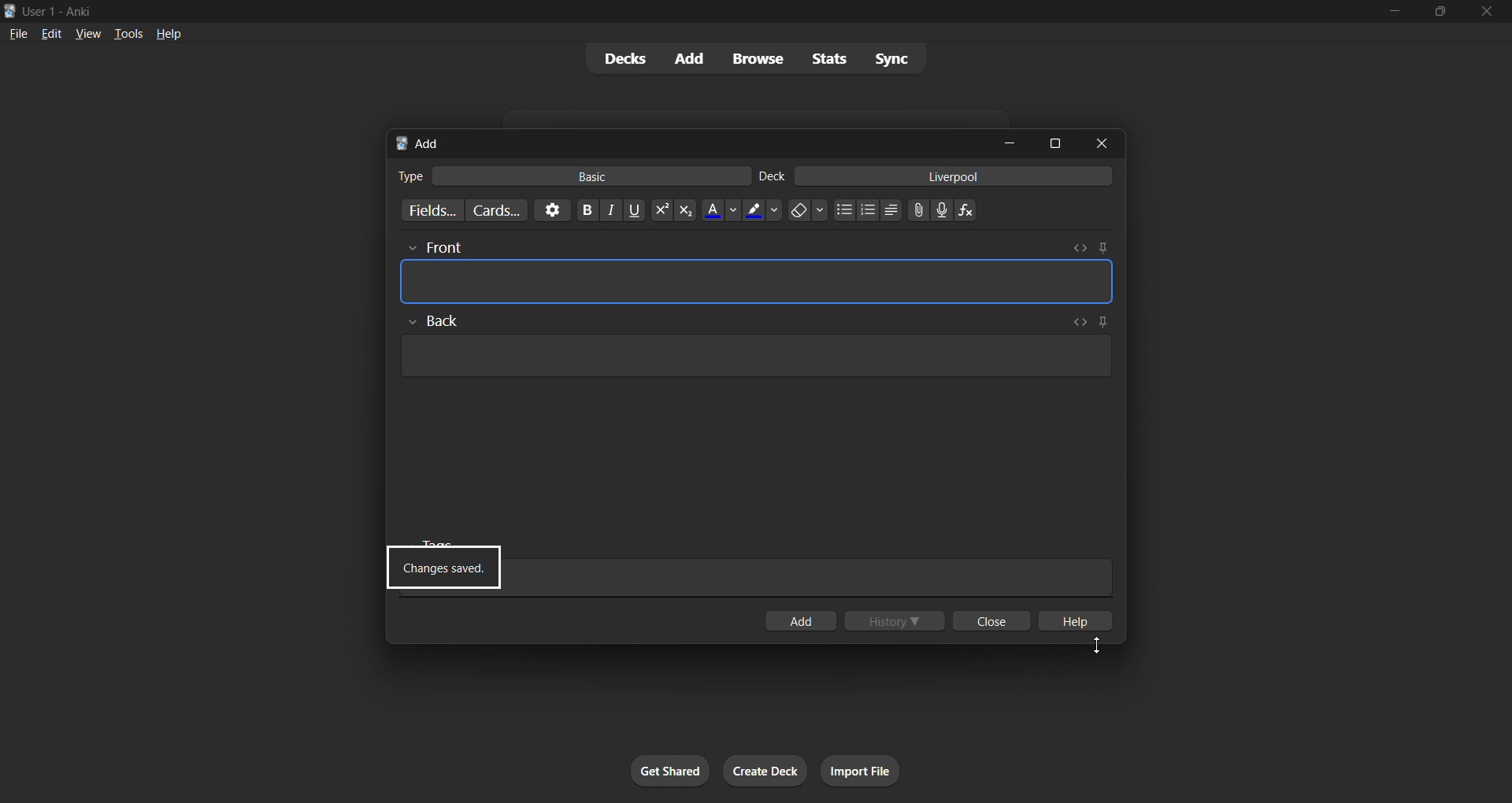 The height and width of the screenshot is (803, 1512). Describe the element at coordinates (436, 321) in the screenshot. I see `back` at that location.